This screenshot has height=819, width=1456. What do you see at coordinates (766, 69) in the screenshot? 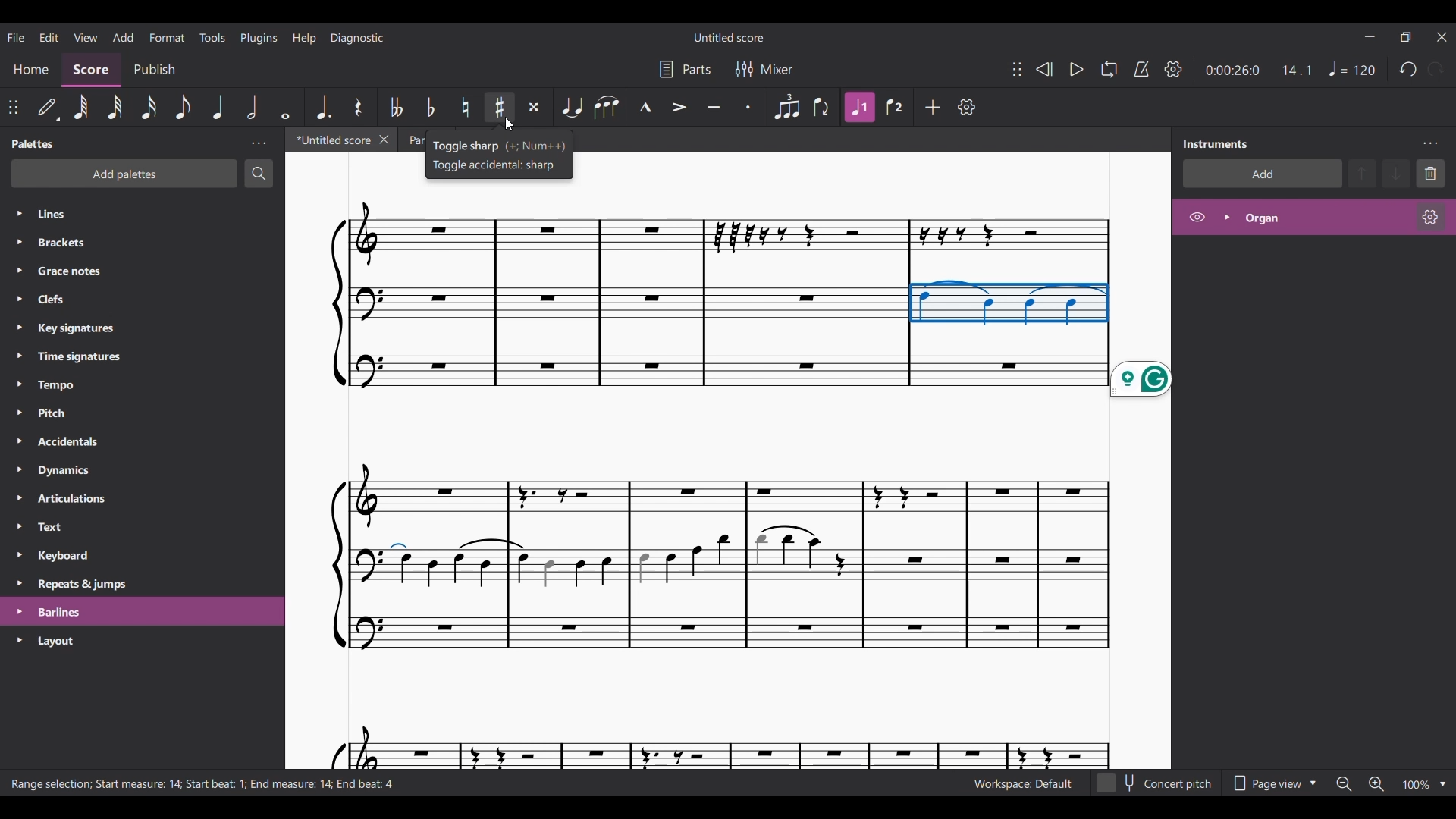
I see `Mixer settings` at bounding box center [766, 69].